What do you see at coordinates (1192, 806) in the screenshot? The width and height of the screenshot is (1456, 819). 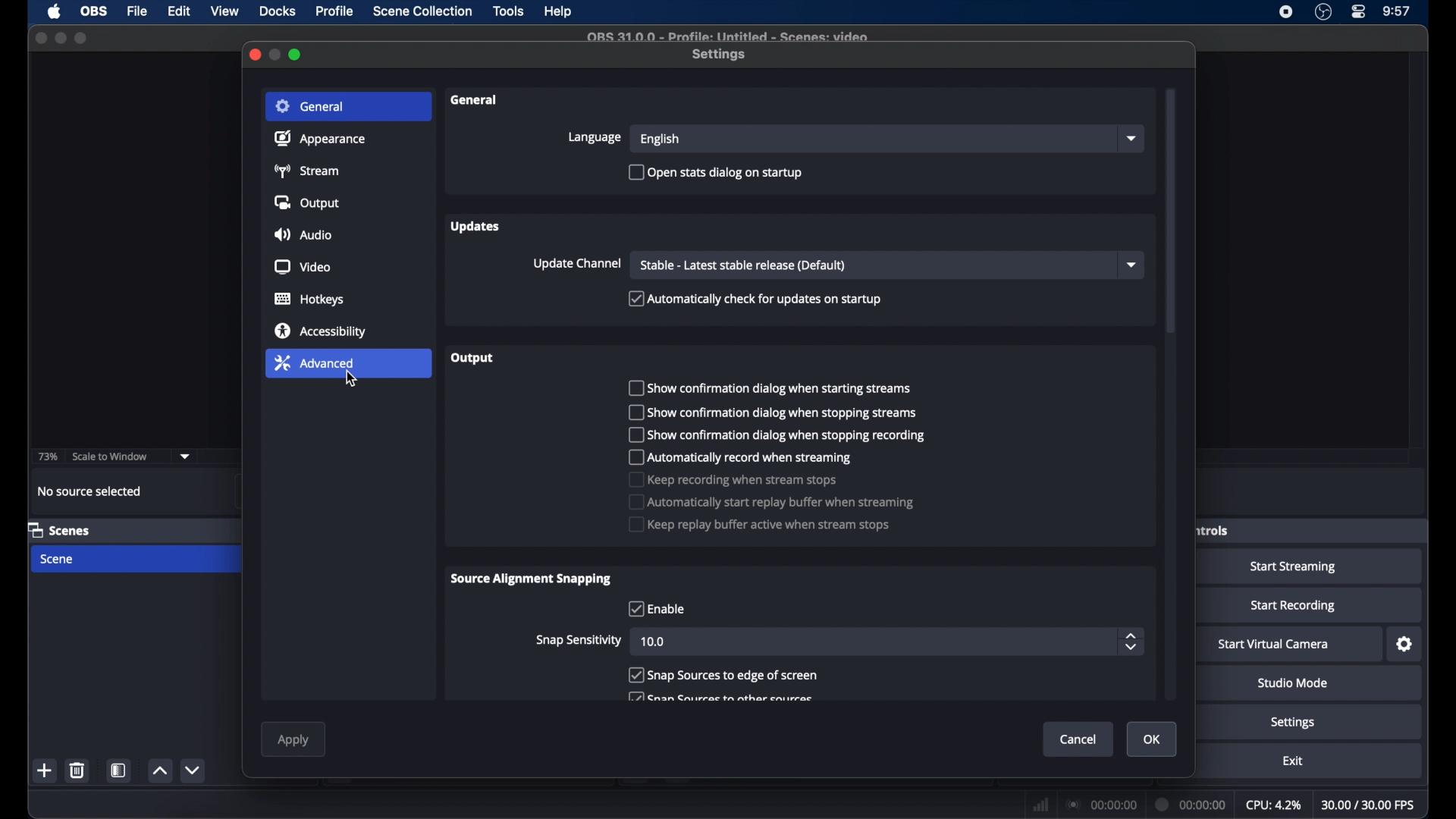 I see `duration` at bounding box center [1192, 806].